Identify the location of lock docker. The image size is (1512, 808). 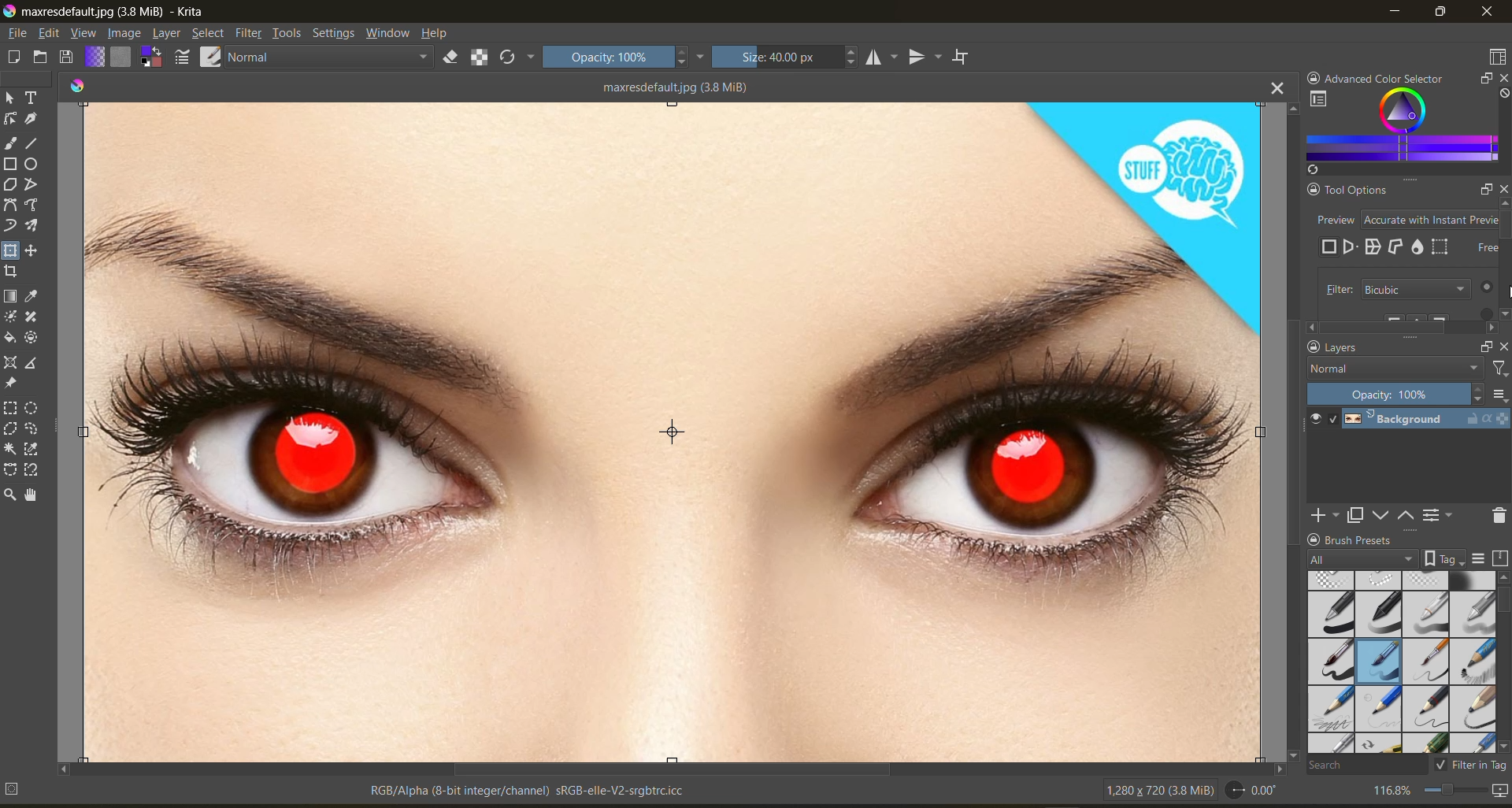
(1314, 539).